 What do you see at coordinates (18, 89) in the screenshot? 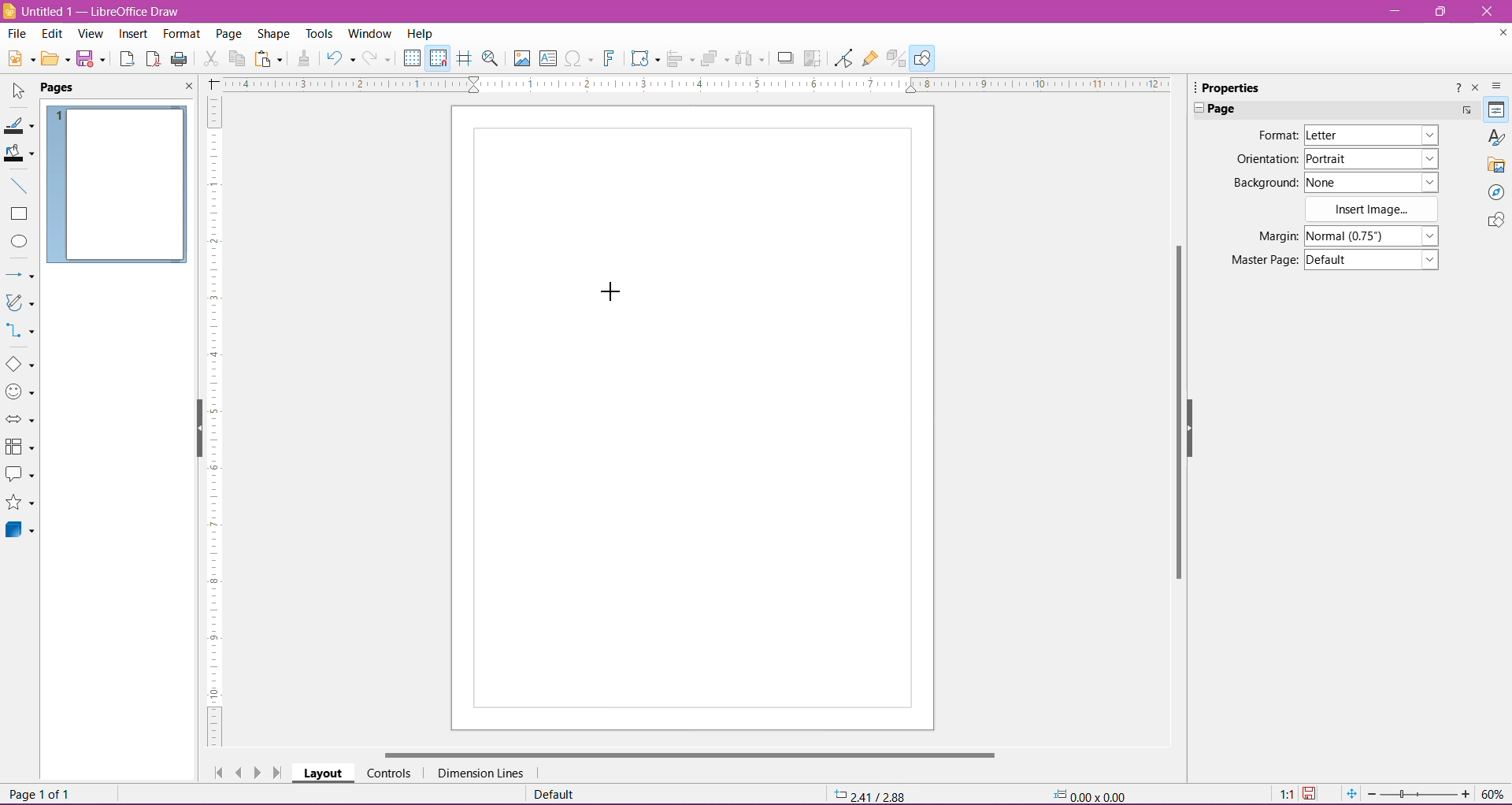
I see `Select Item` at bounding box center [18, 89].